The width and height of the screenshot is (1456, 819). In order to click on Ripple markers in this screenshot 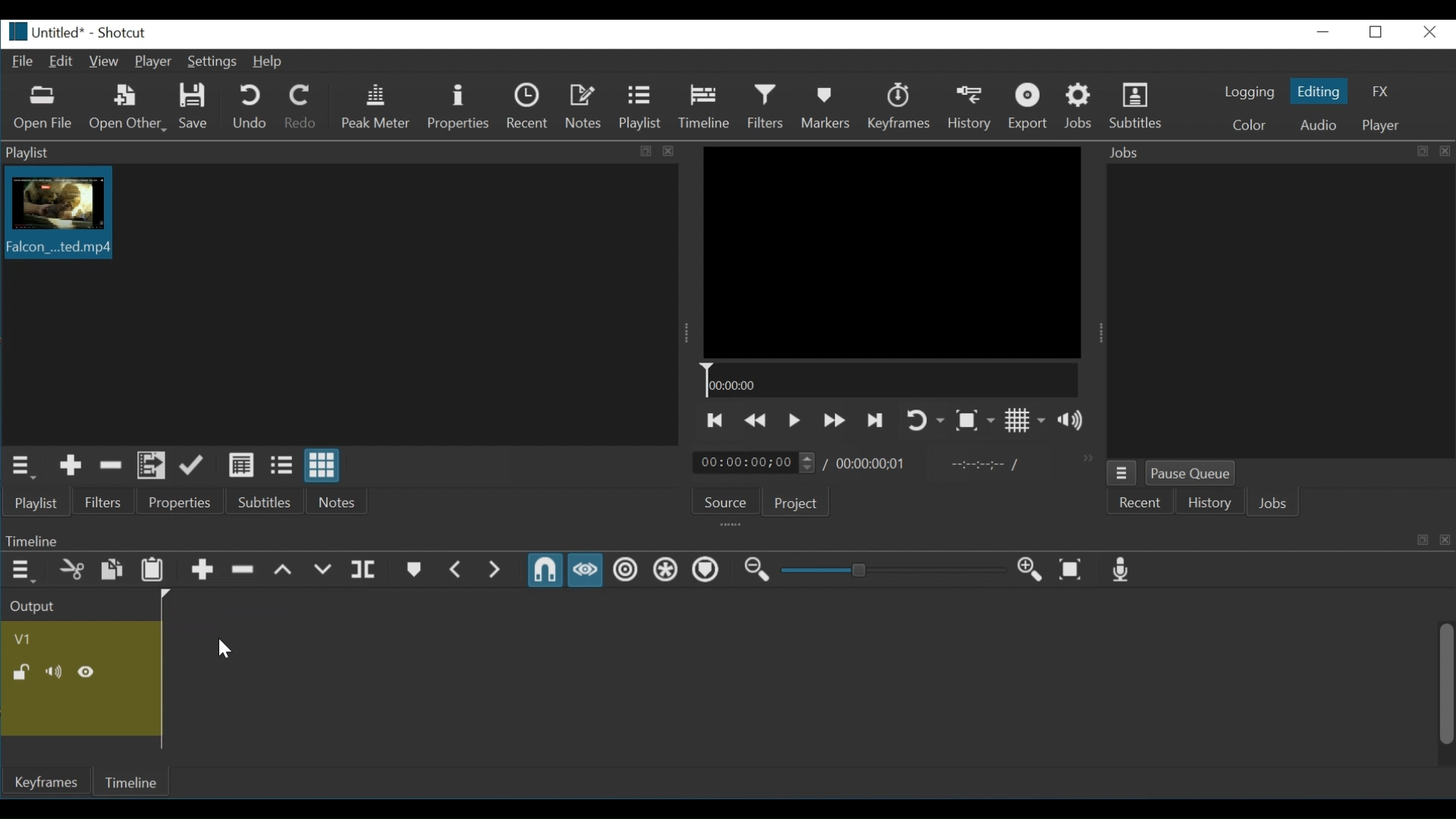, I will do `click(704, 570)`.